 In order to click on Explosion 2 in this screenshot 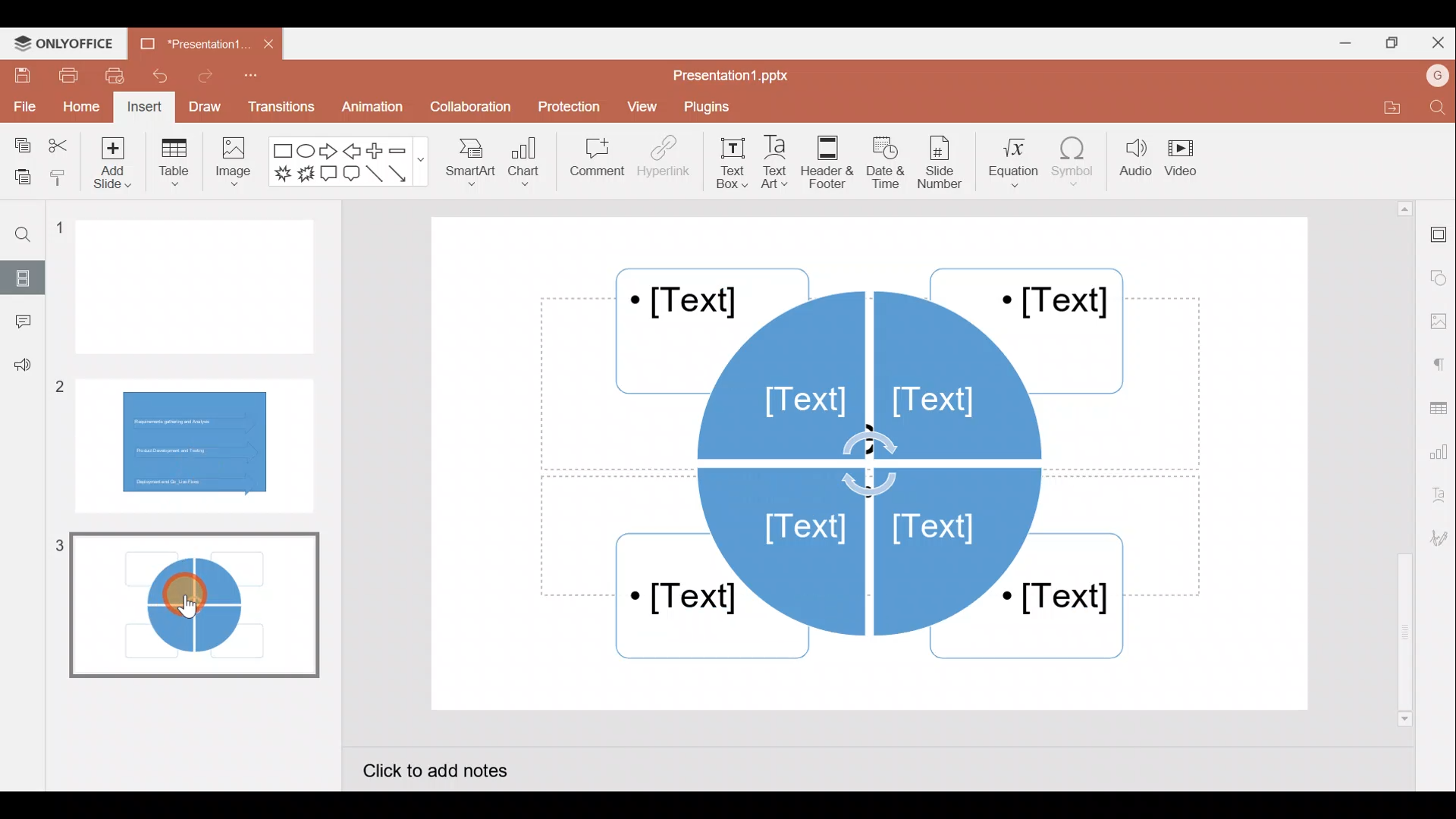, I will do `click(305, 175)`.